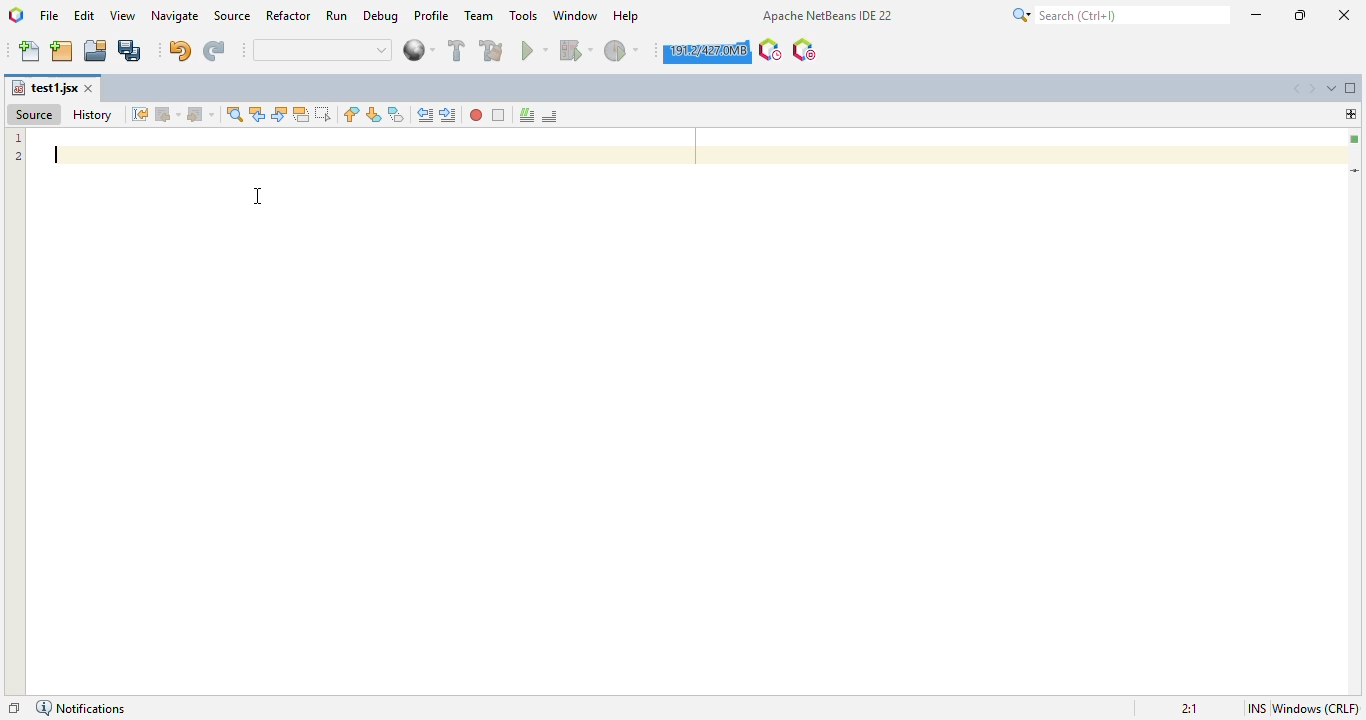 This screenshot has height=720, width=1366. I want to click on search, so click(1120, 15).